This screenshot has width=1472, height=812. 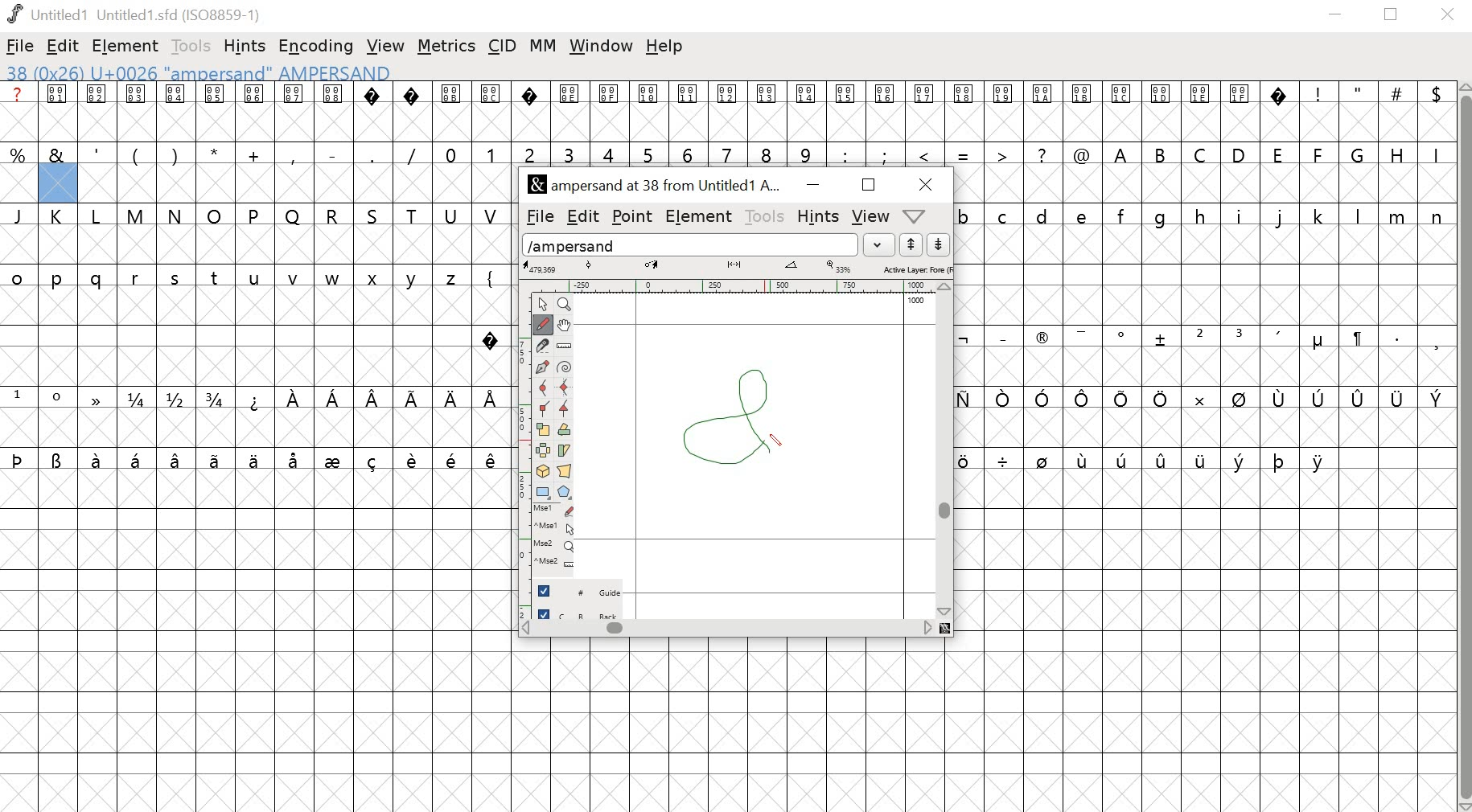 I want to click on symbol, so click(x=451, y=399).